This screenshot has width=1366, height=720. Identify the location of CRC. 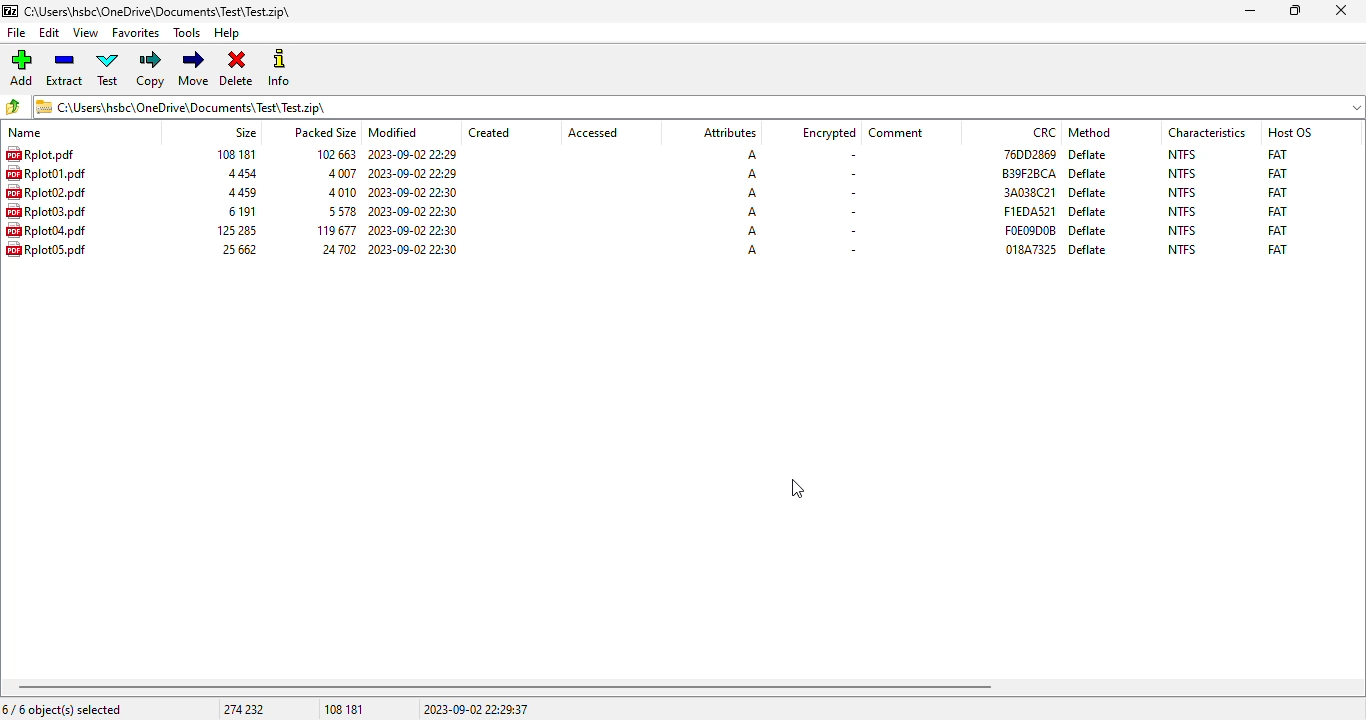
(1031, 249).